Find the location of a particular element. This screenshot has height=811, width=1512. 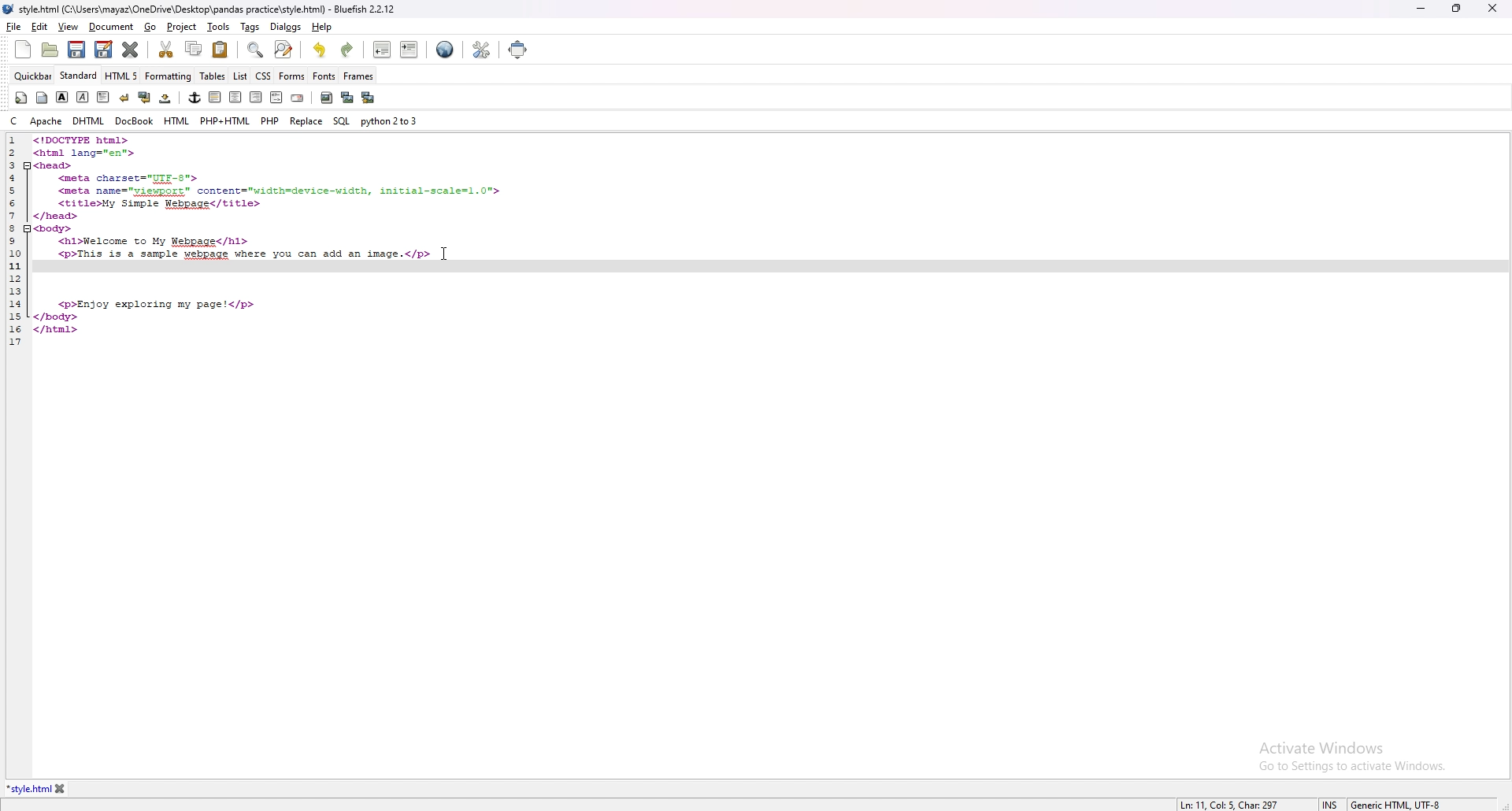

<p>Enjoy exploring my page!</p> is located at coordinates (158, 305).